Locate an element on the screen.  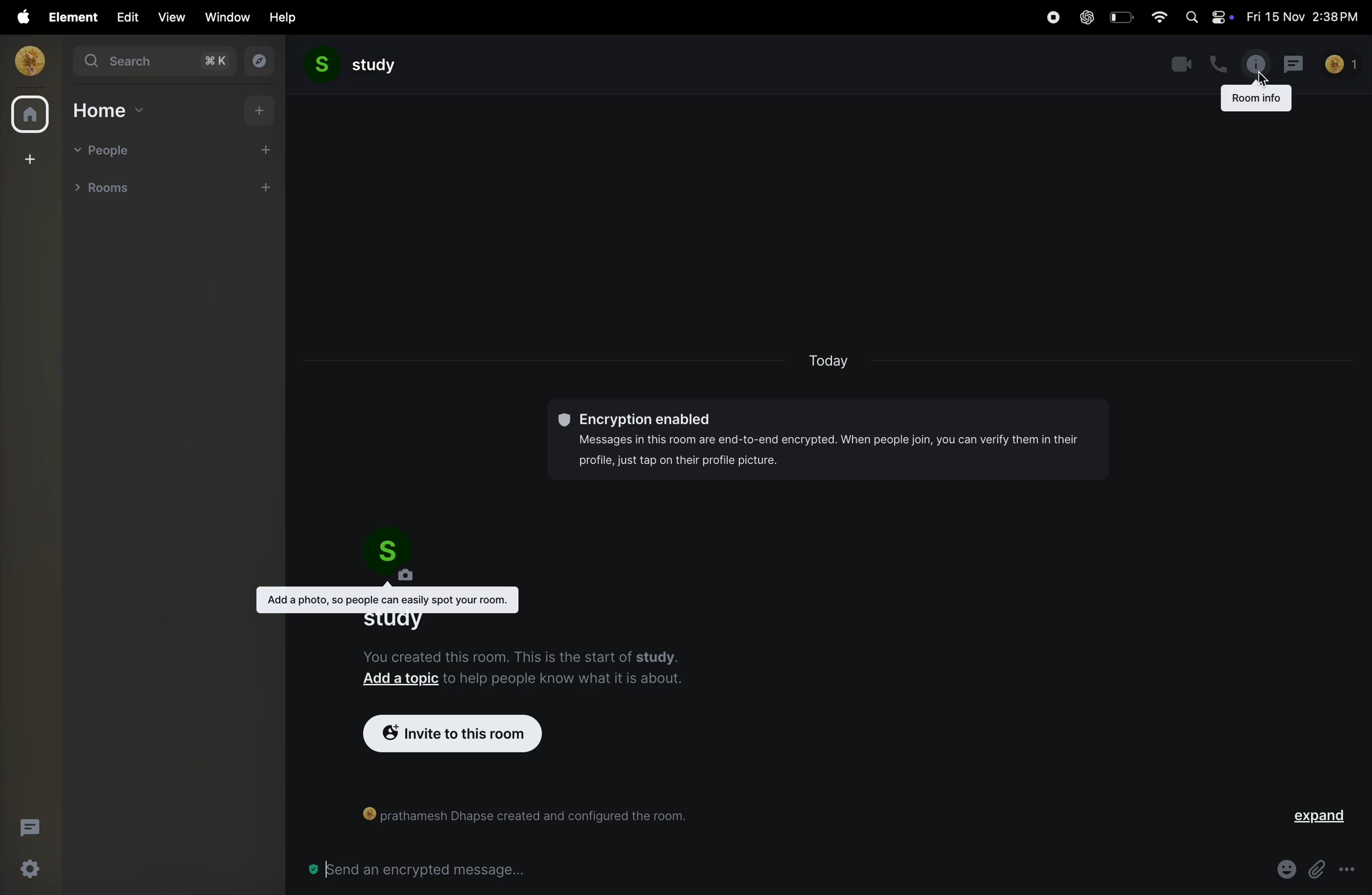
Send an encrypted message... is located at coordinates (408, 869).